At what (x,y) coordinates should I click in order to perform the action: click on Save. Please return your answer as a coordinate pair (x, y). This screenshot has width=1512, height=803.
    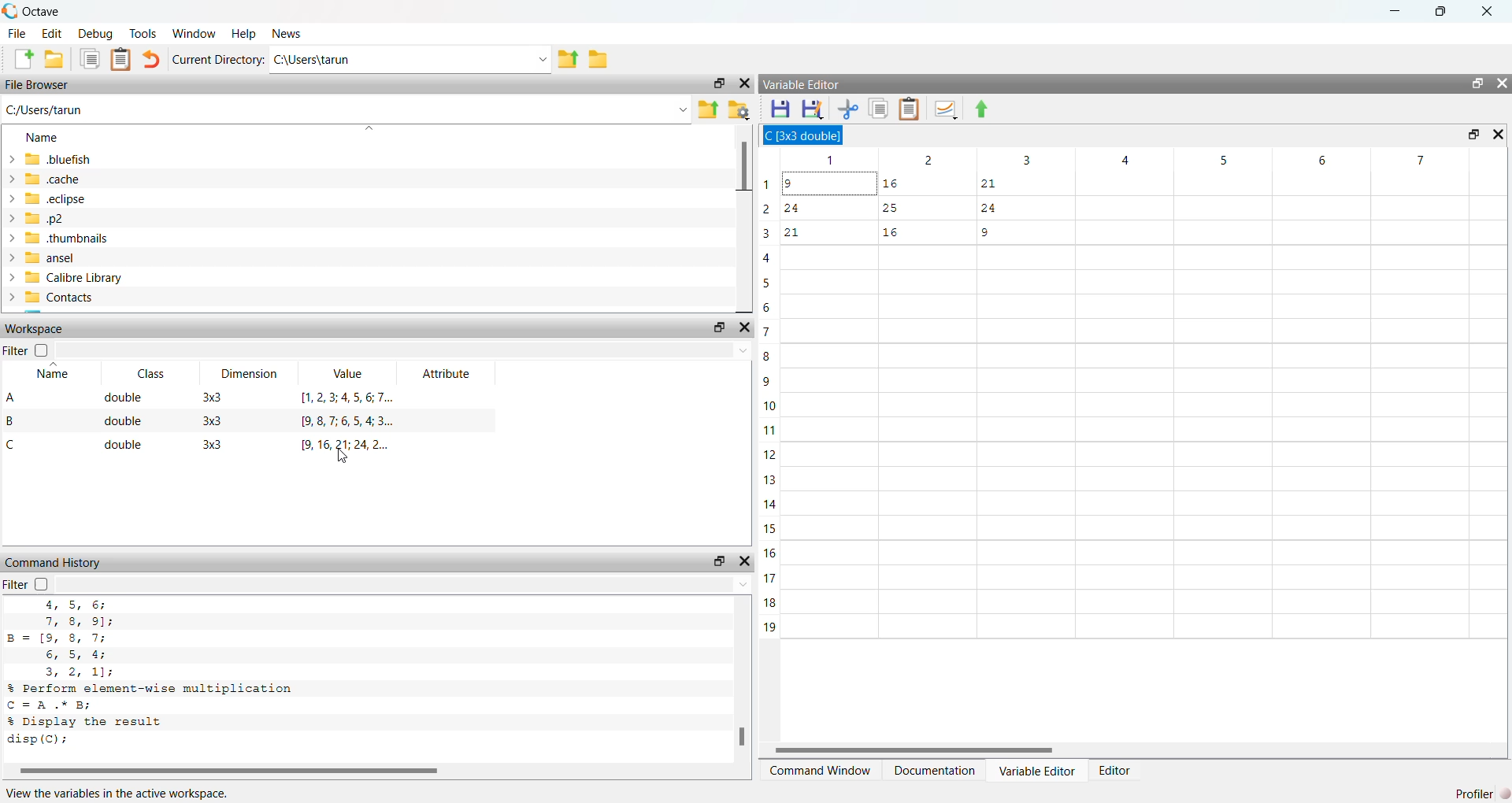
    Looking at the image, I should click on (780, 109).